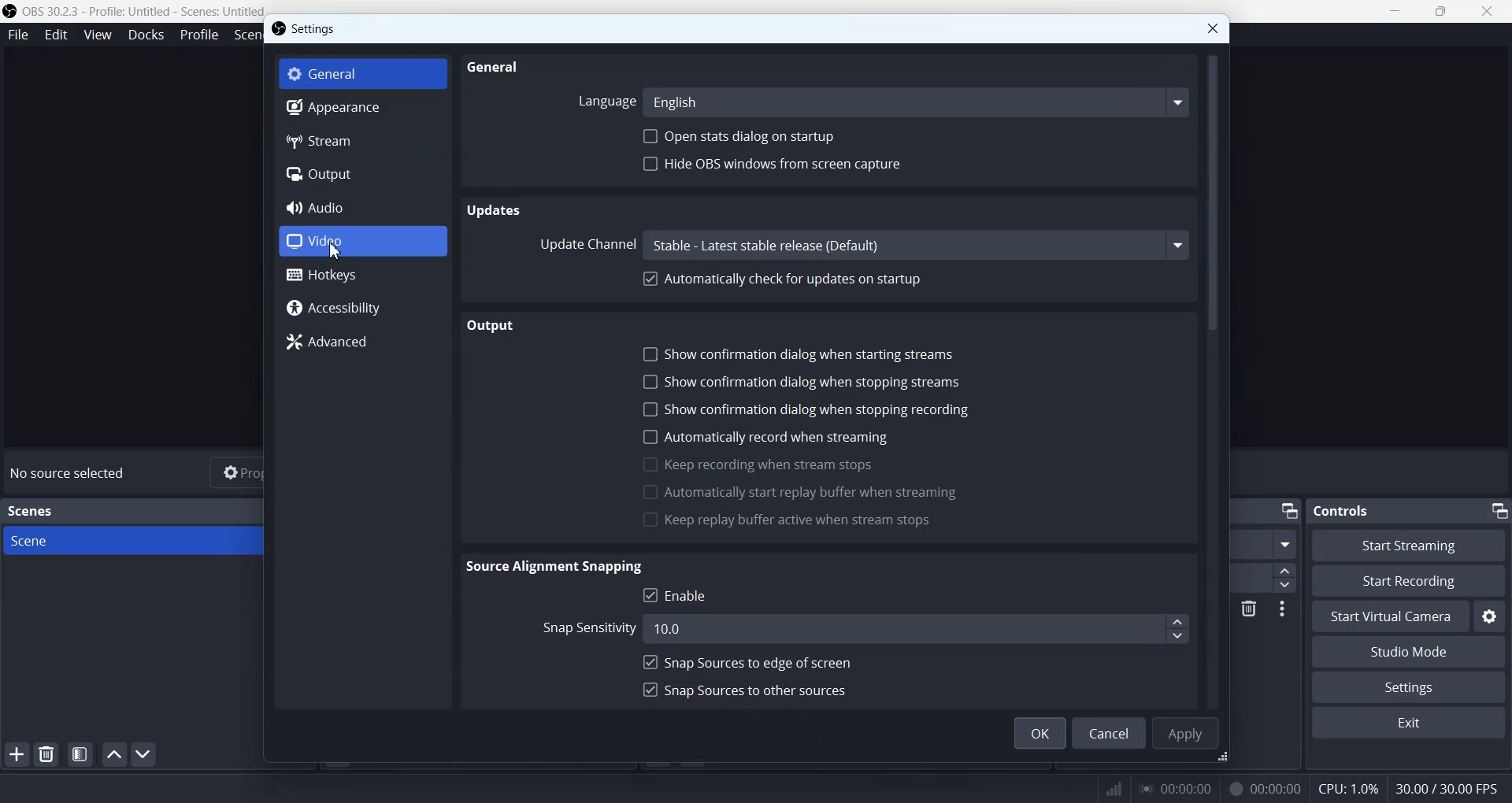  I want to click on Start Virtual Camera, so click(1390, 616).